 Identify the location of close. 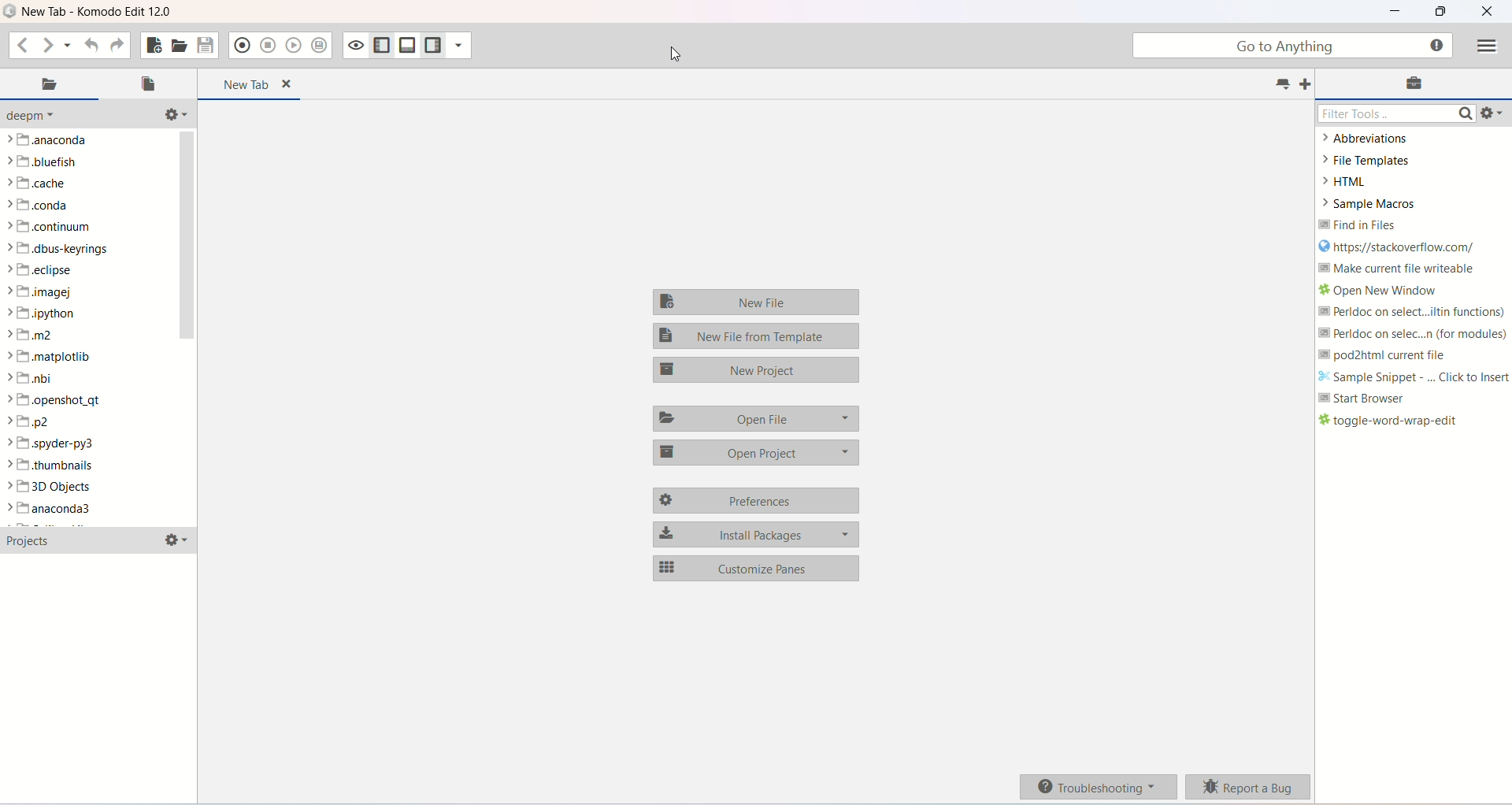
(1491, 11).